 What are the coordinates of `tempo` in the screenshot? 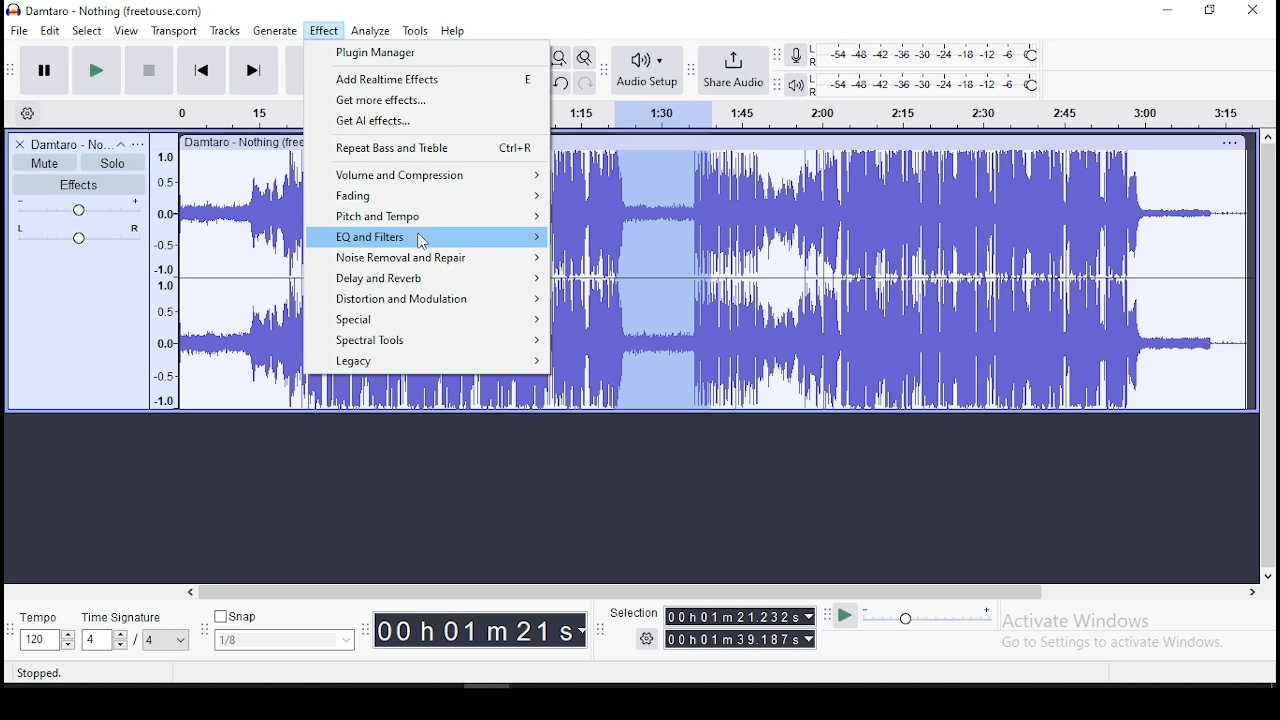 It's located at (44, 619).